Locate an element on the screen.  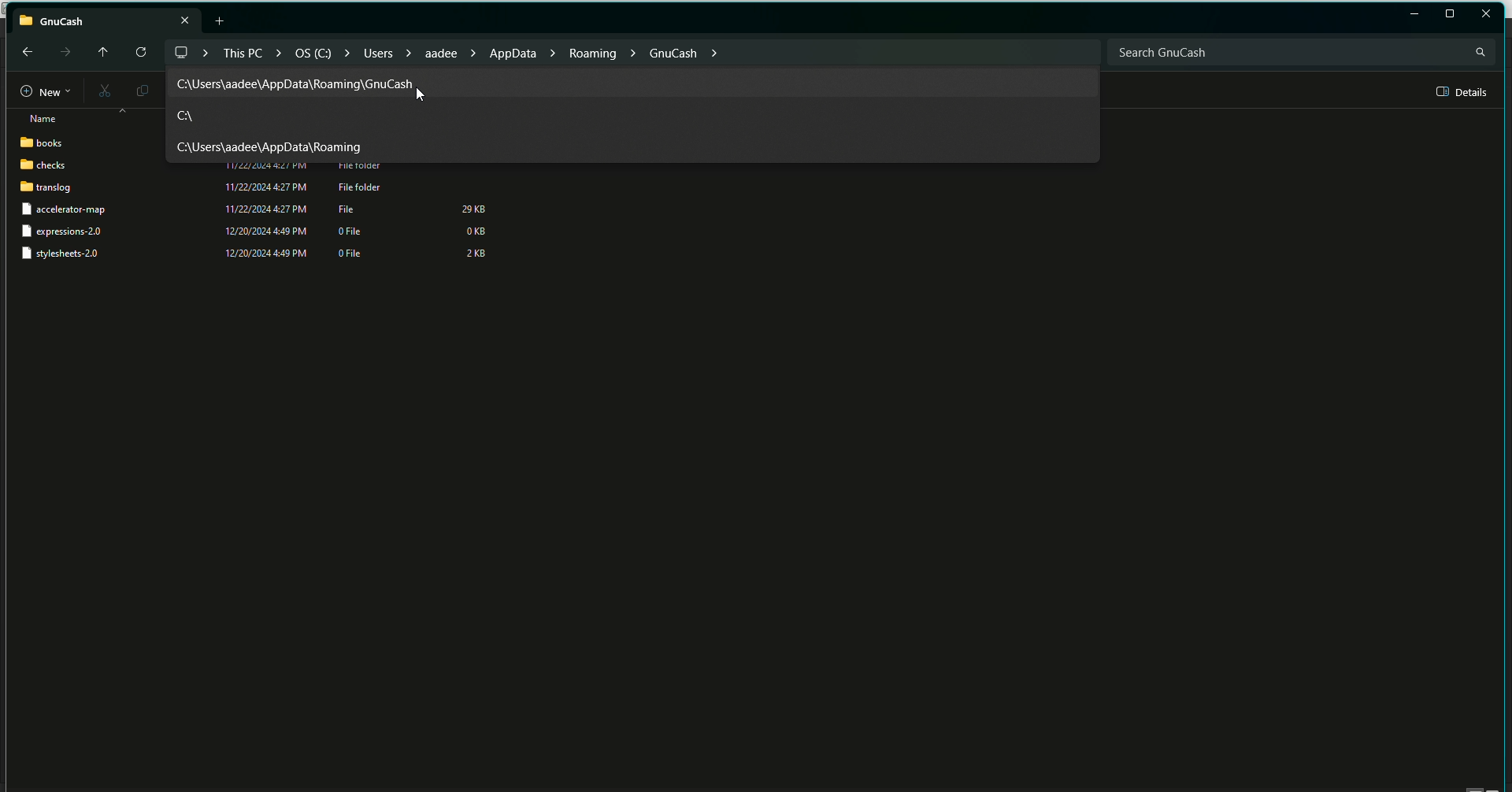
Restore is located at coordinates (1414, 15).